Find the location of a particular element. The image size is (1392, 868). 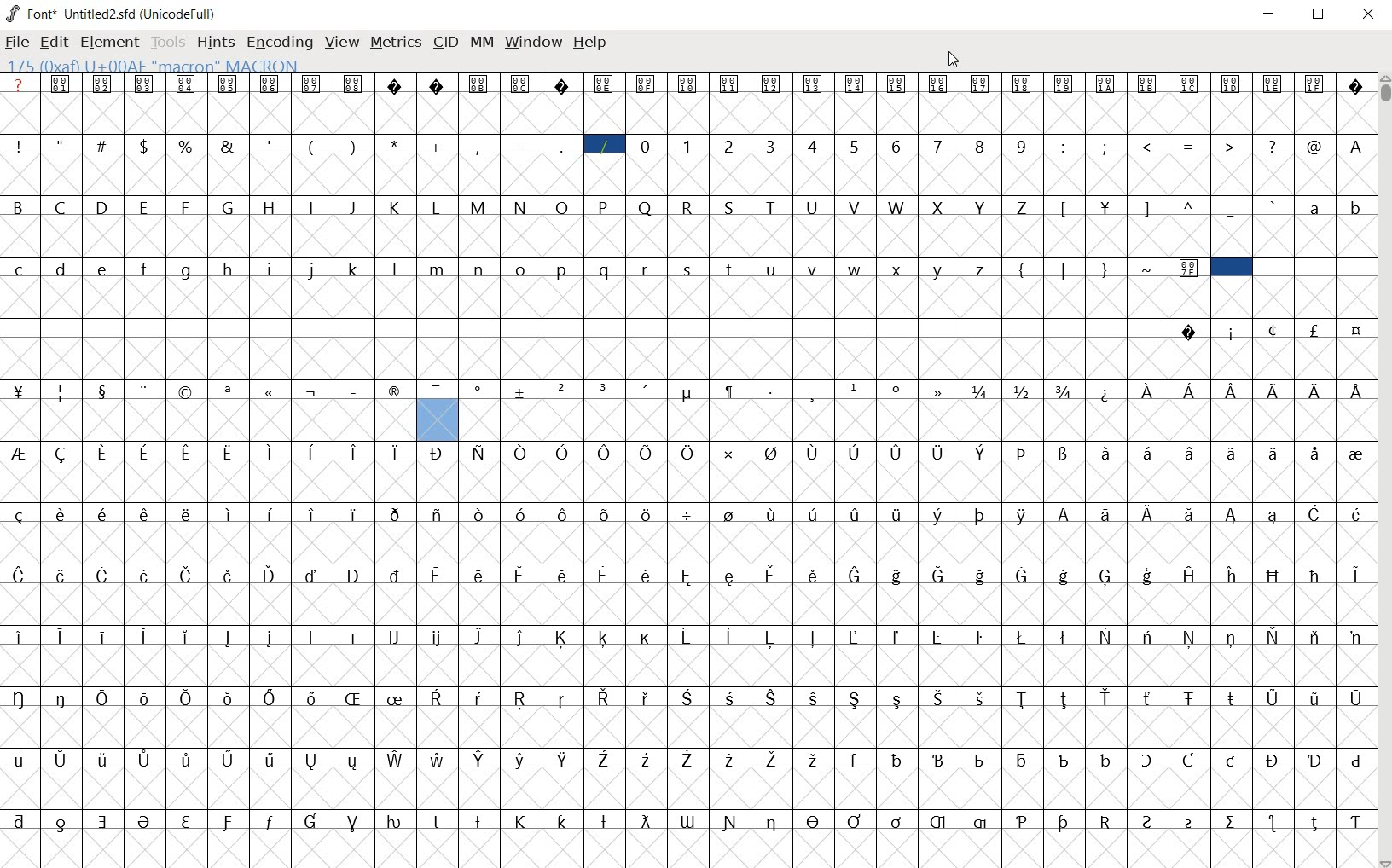

Symbol is located at coordinates (439, 819).